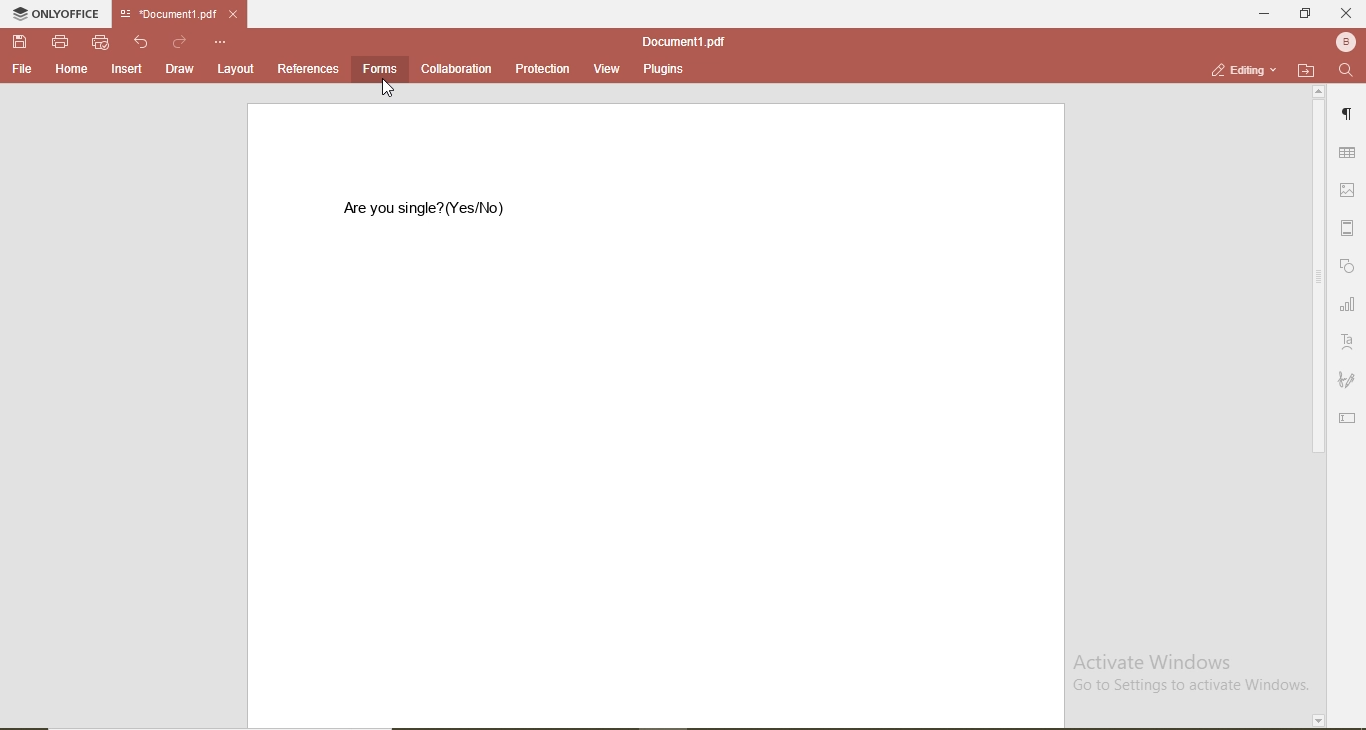 The height and width of the screenshot is (730, 1366). Describe the element at coordinates (309, 68) in the screenshot. I see `references` at that location.